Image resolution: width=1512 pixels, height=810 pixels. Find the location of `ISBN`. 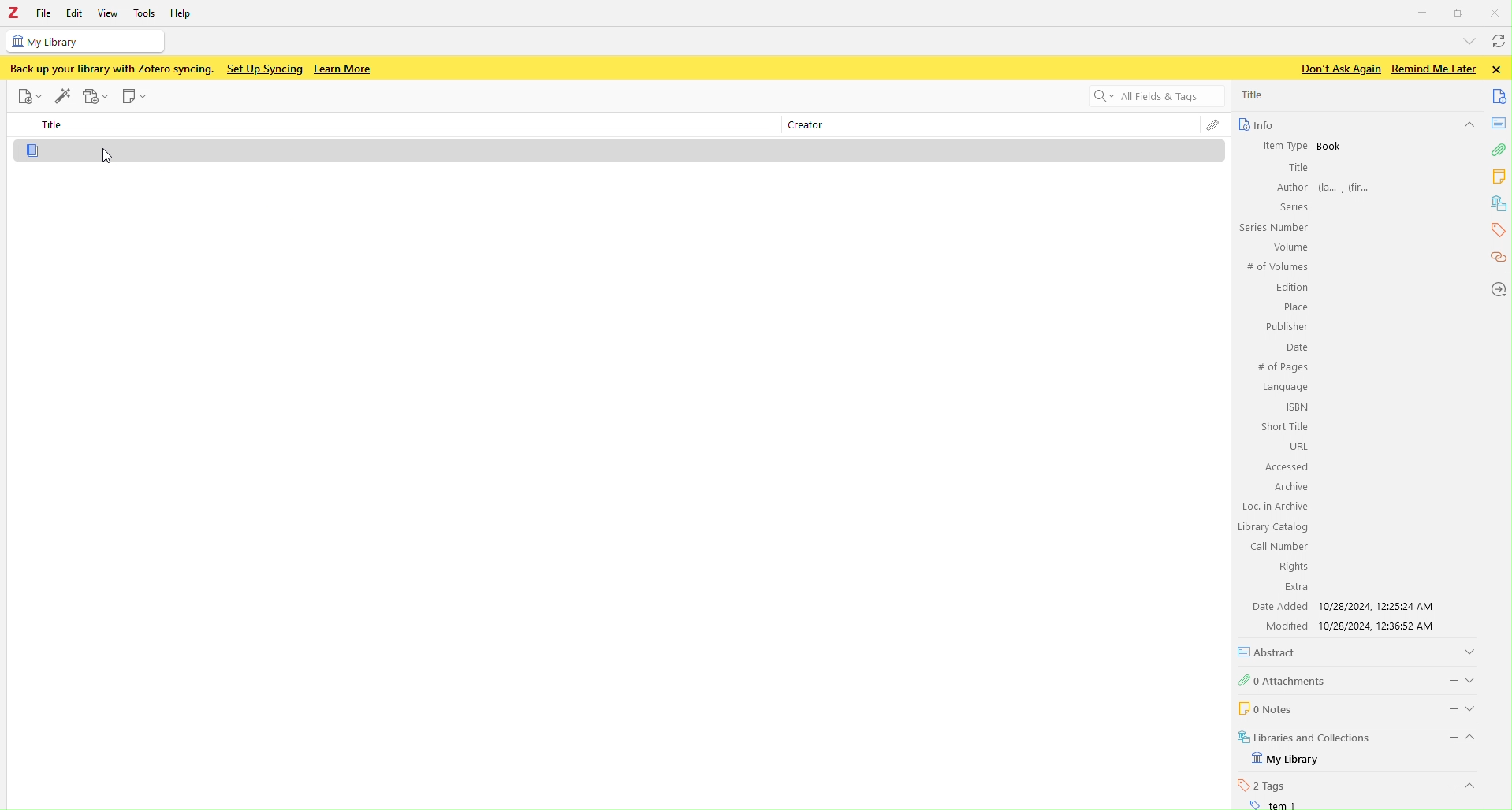

ISBN is located at coordinates (1298, 407).